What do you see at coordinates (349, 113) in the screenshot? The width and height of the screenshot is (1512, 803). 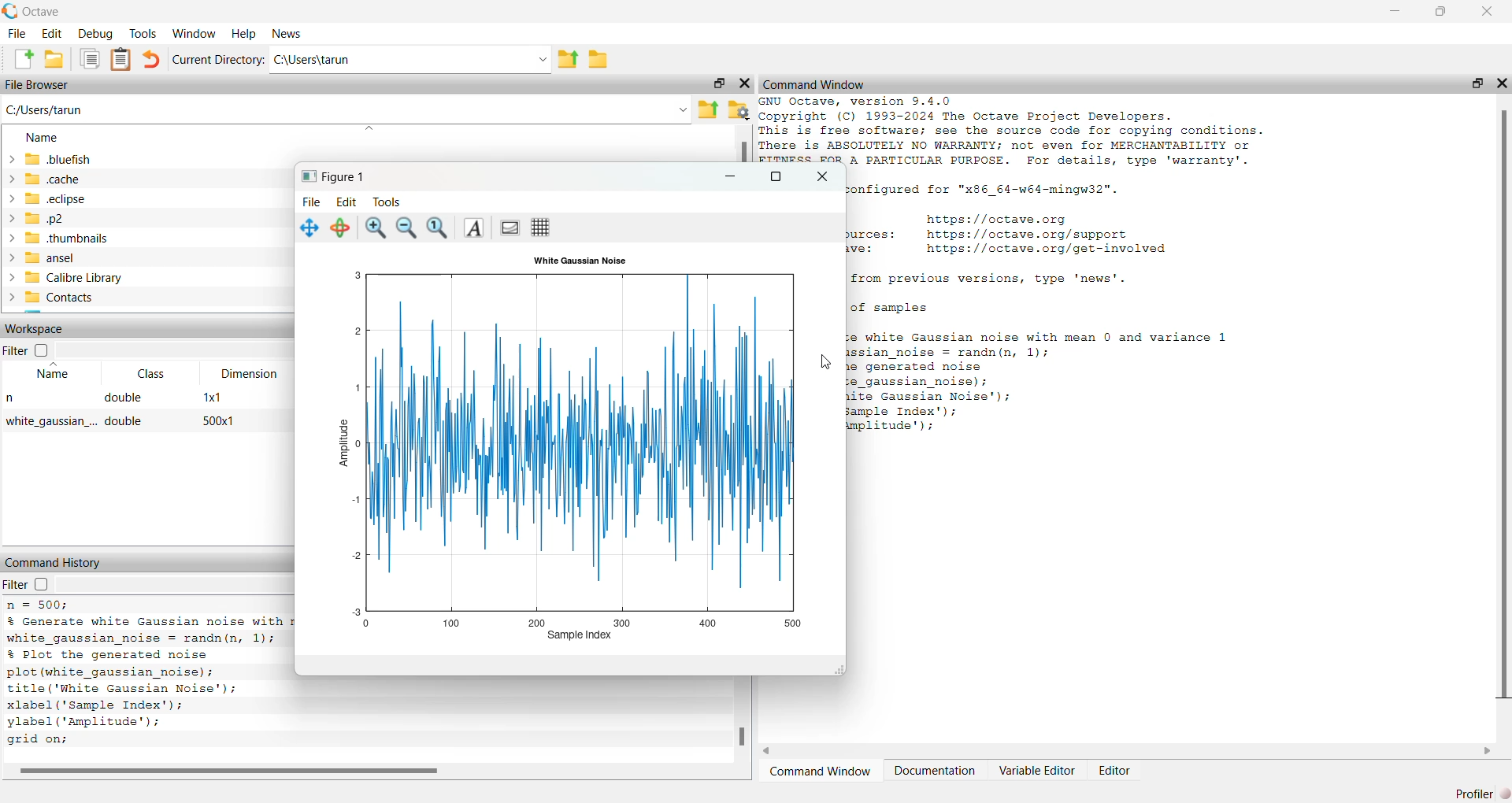 I see `C:/Users/tarun` at bounding box center [349, 113].